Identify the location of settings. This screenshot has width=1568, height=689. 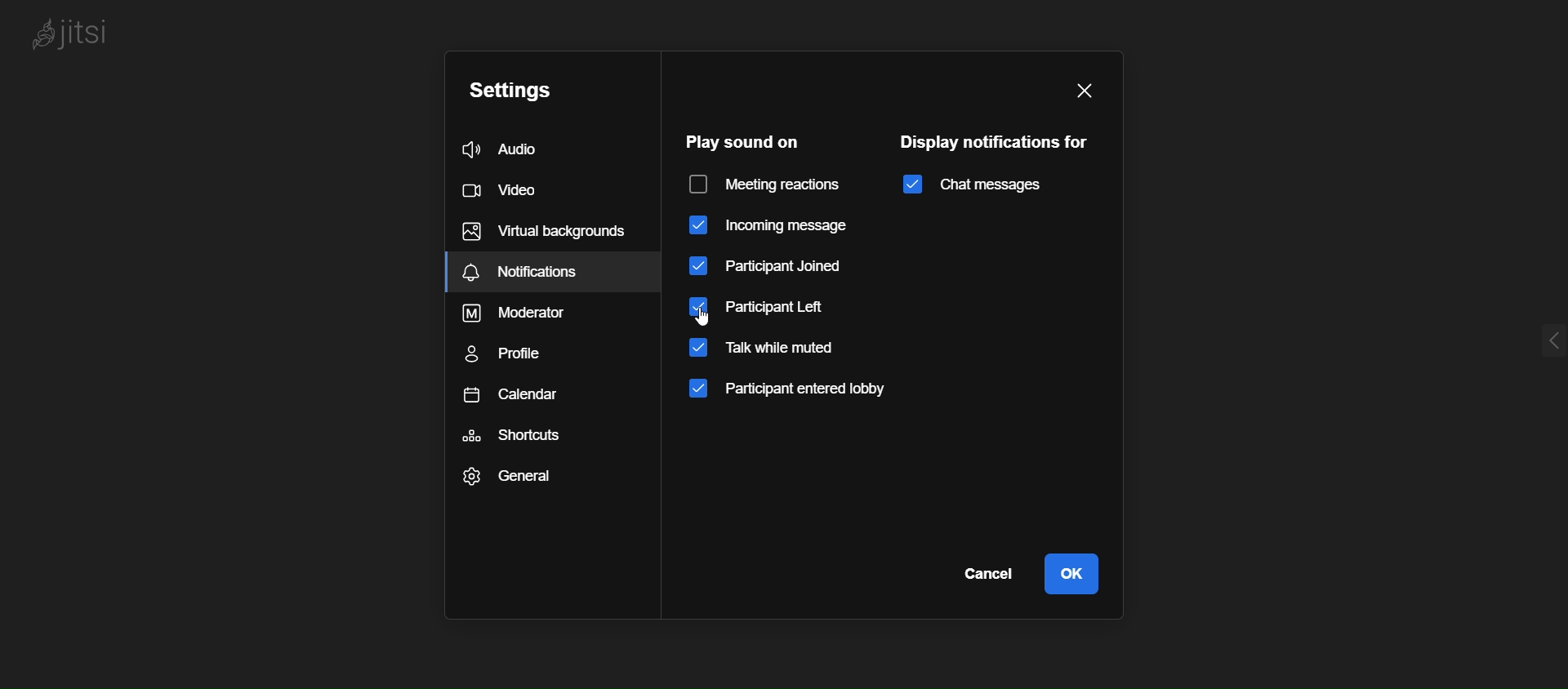
(516, 88).